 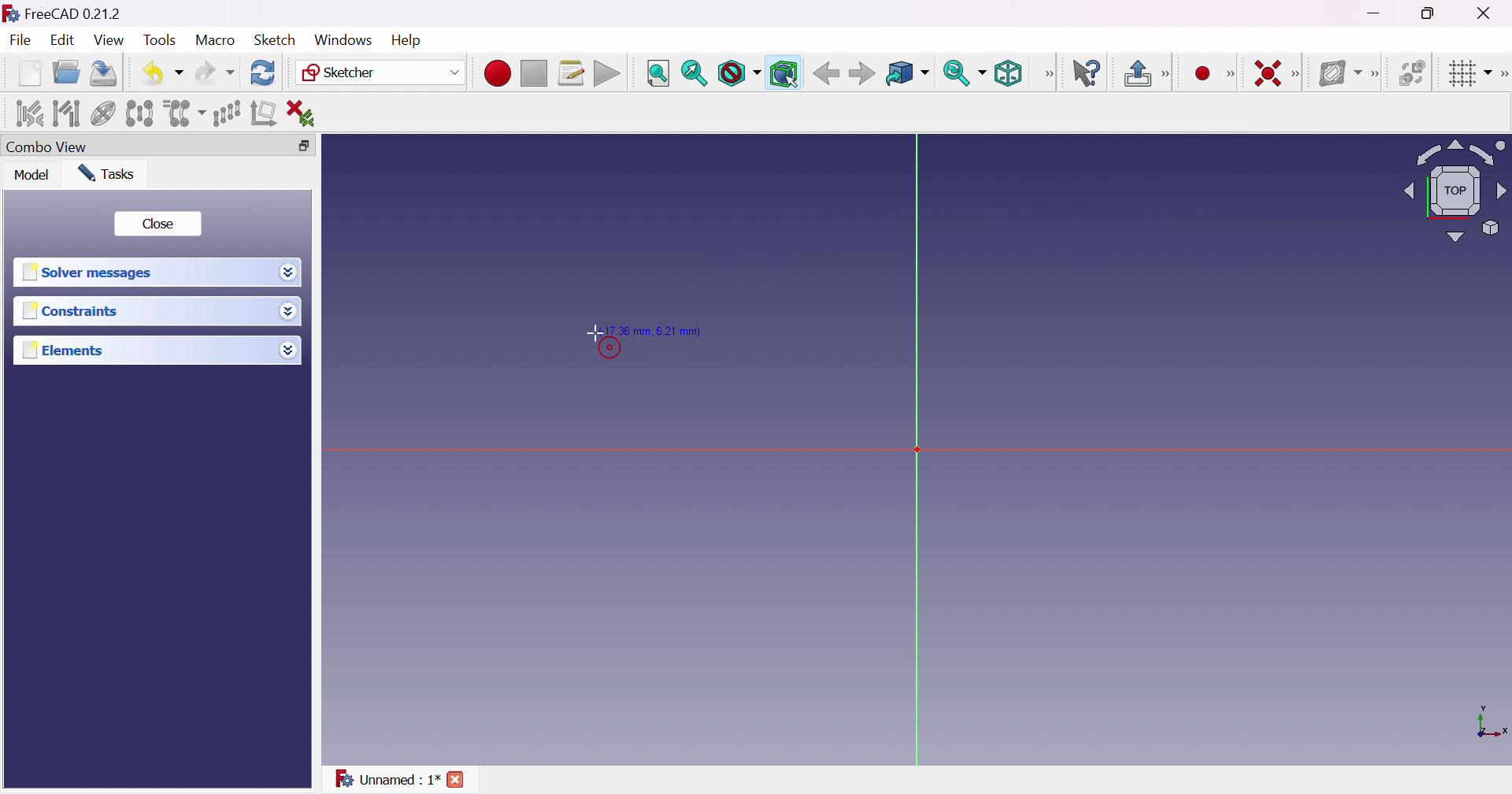 What do you see at coordinates (307, 113) in the screenshot?
I see `Delete all constraints` at bounding box center [307, 113].